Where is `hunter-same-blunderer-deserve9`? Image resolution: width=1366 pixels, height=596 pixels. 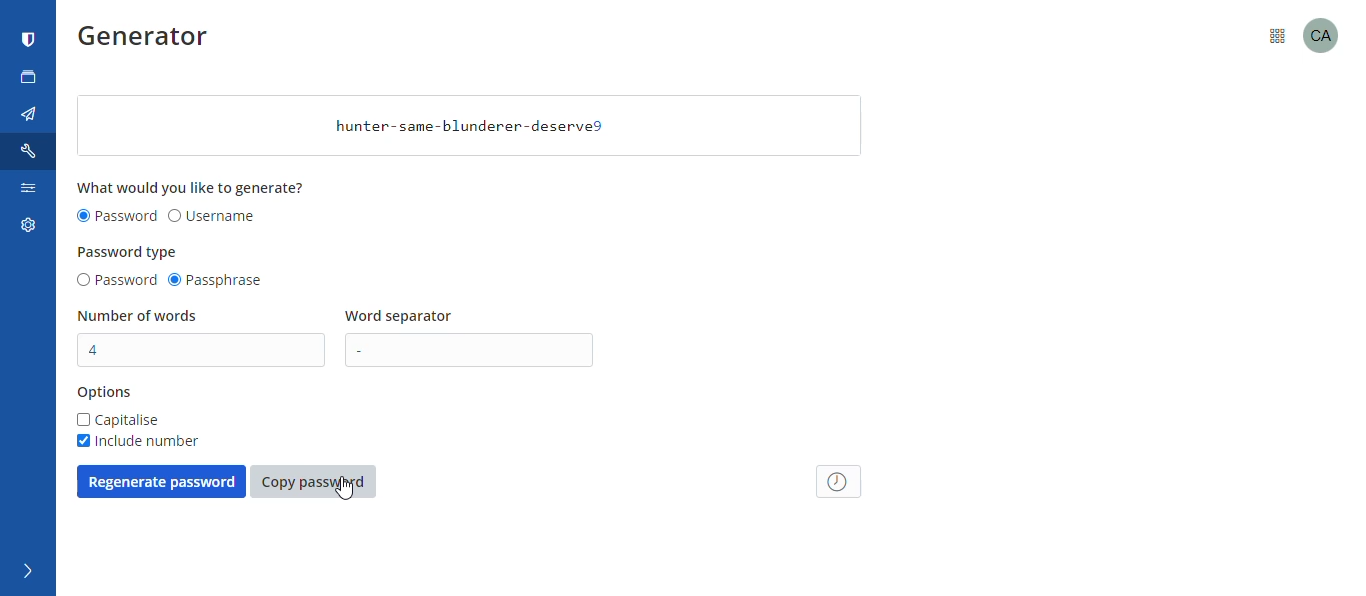
hunter-same-blunderer-deserve9 is located at coordinates (469, 126).